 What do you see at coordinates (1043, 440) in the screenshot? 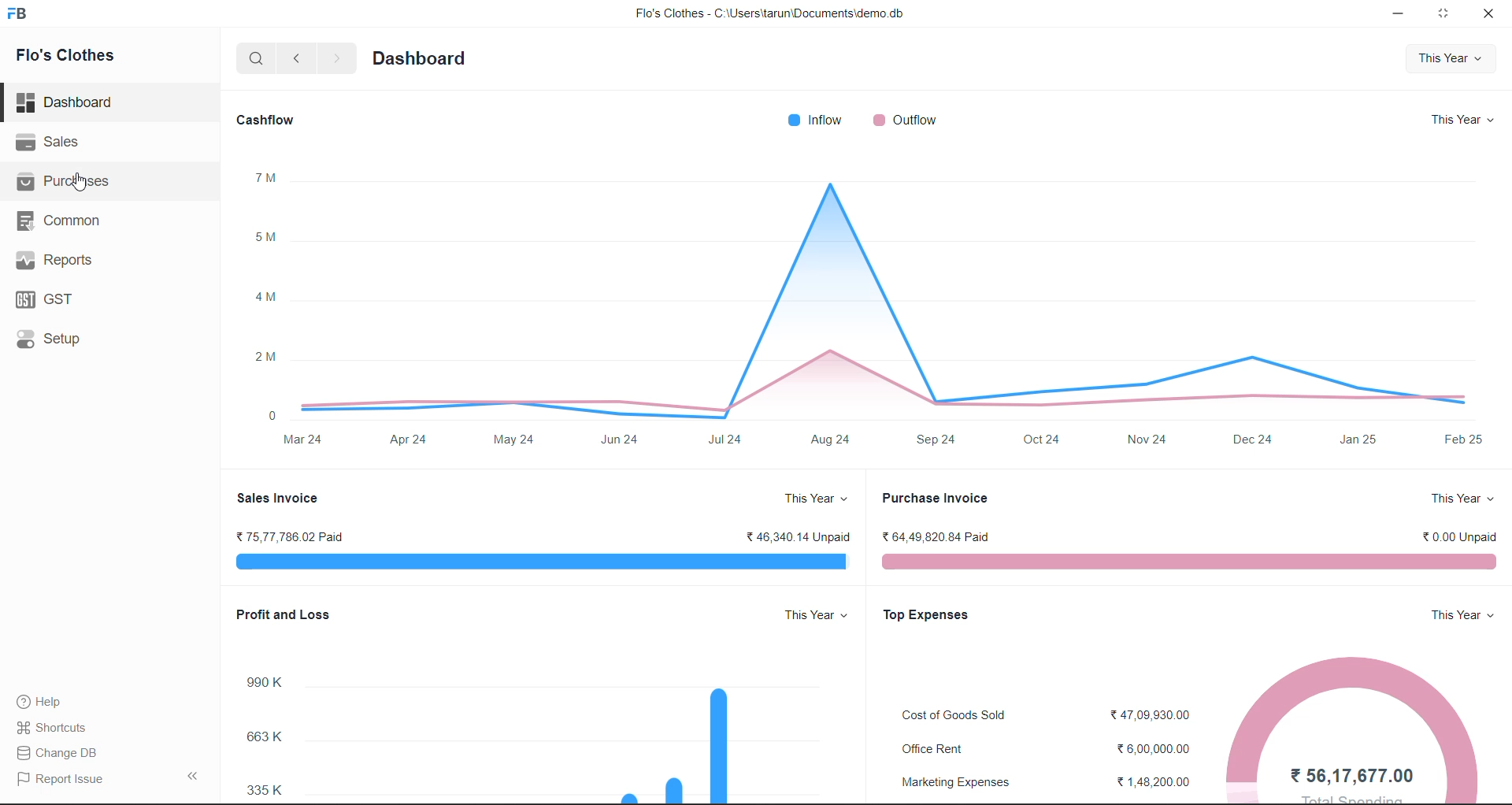
I see `Oct 24` at bounding box center [1043, 440].